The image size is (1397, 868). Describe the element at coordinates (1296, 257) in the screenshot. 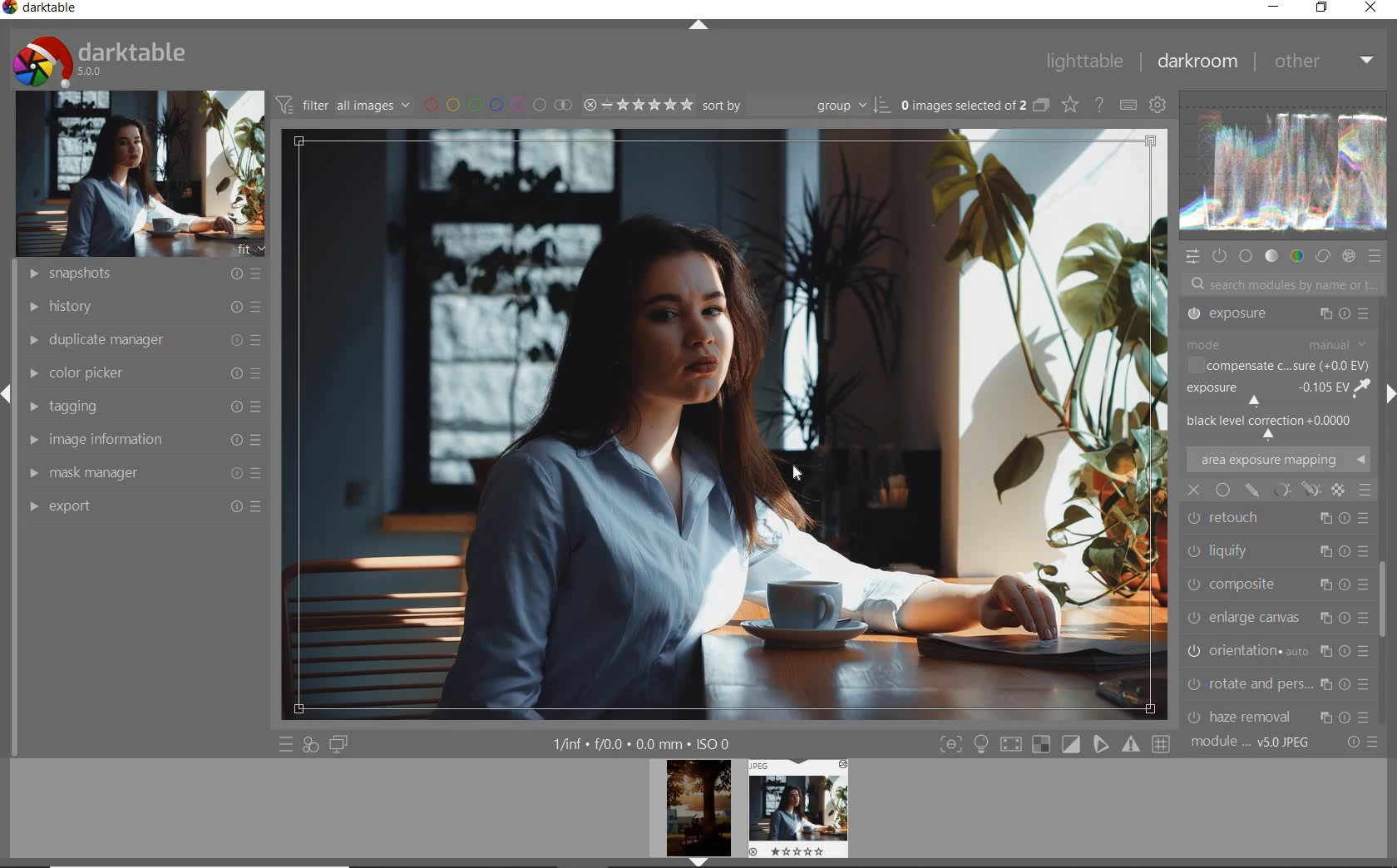

I see `COLOR` at that location.